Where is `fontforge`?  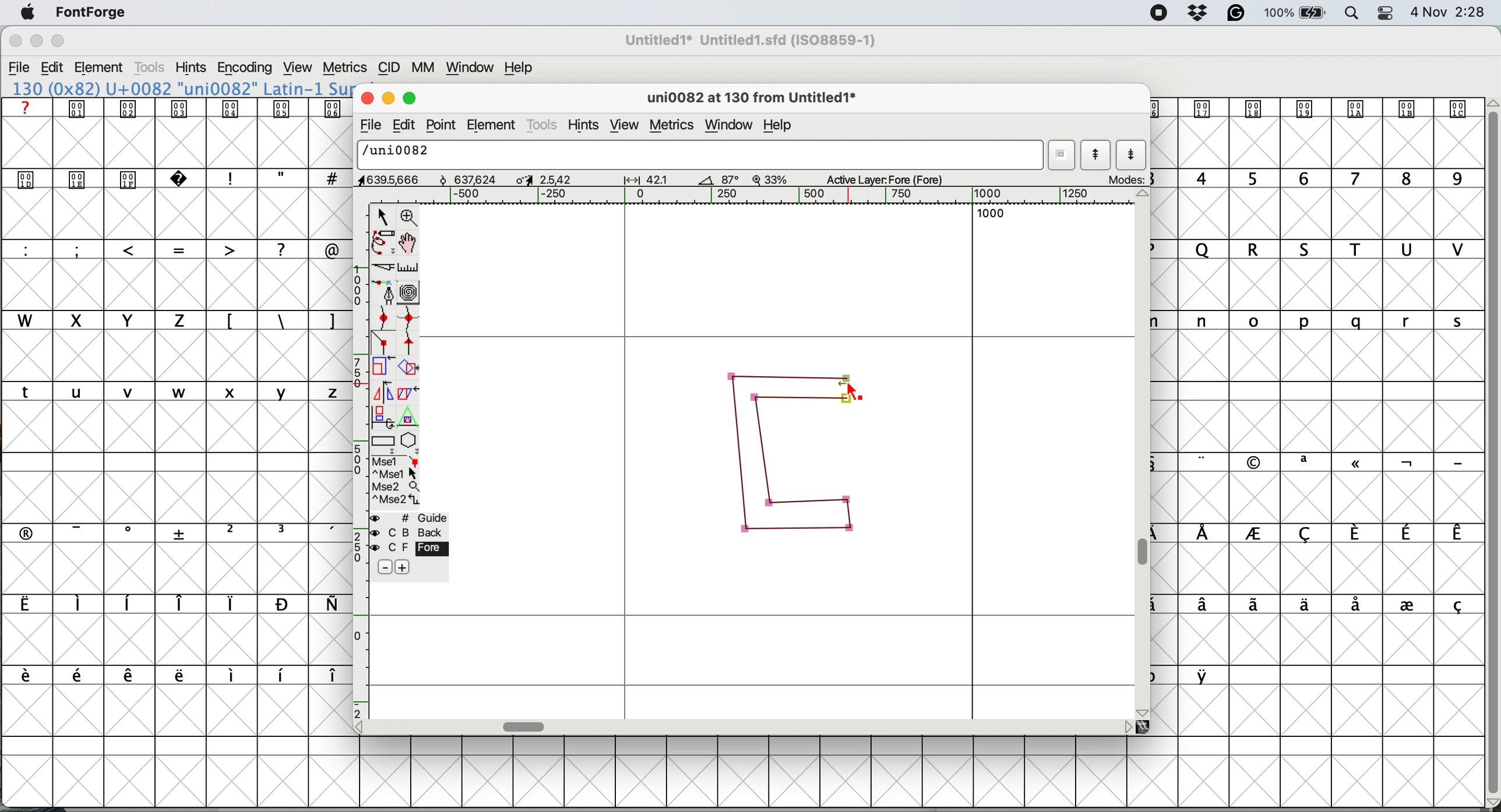
fontforge is located at coordinates (92, 12).